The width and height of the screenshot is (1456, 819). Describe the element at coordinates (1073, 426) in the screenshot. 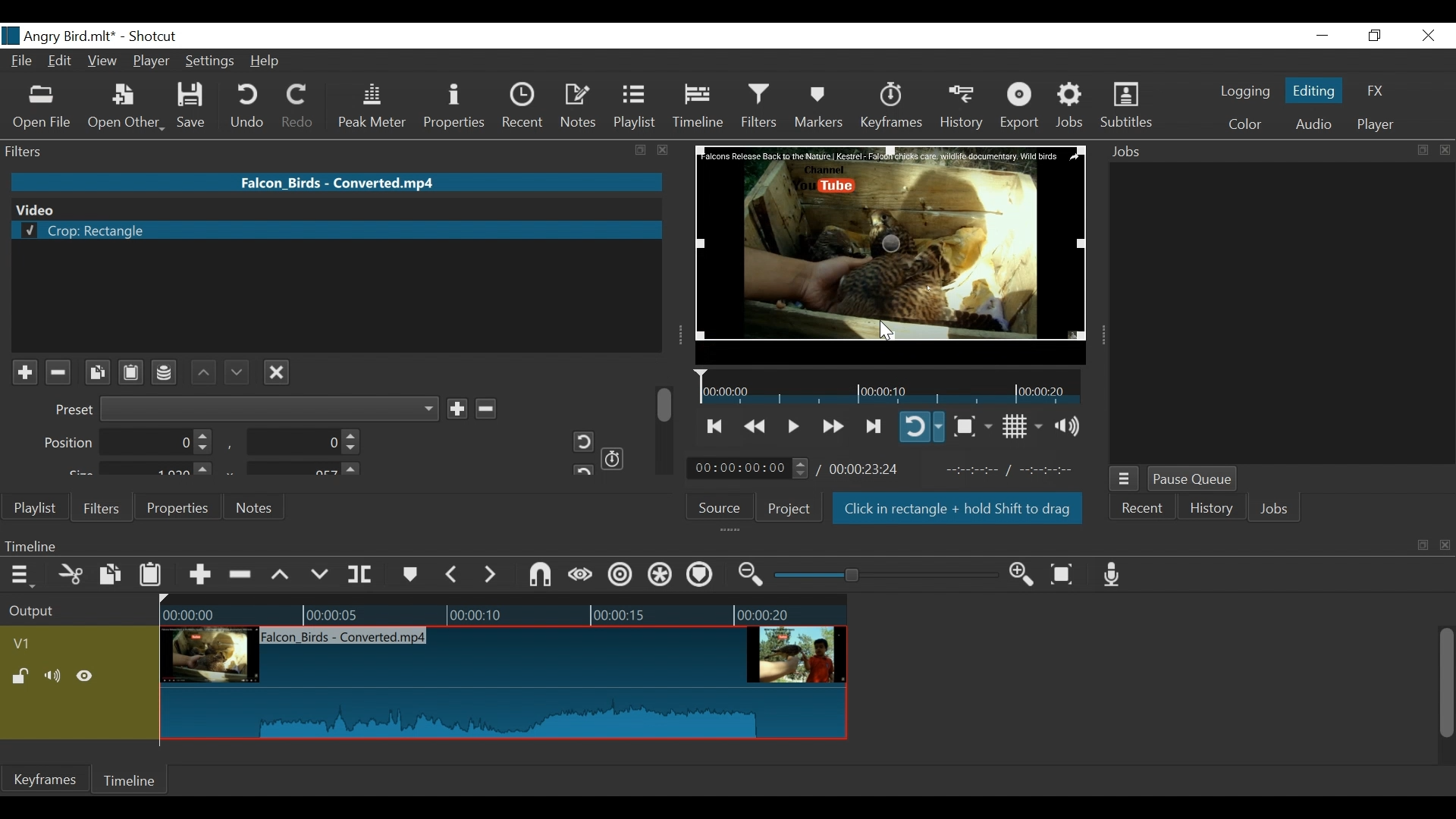

I see `Show volume control` at that location.